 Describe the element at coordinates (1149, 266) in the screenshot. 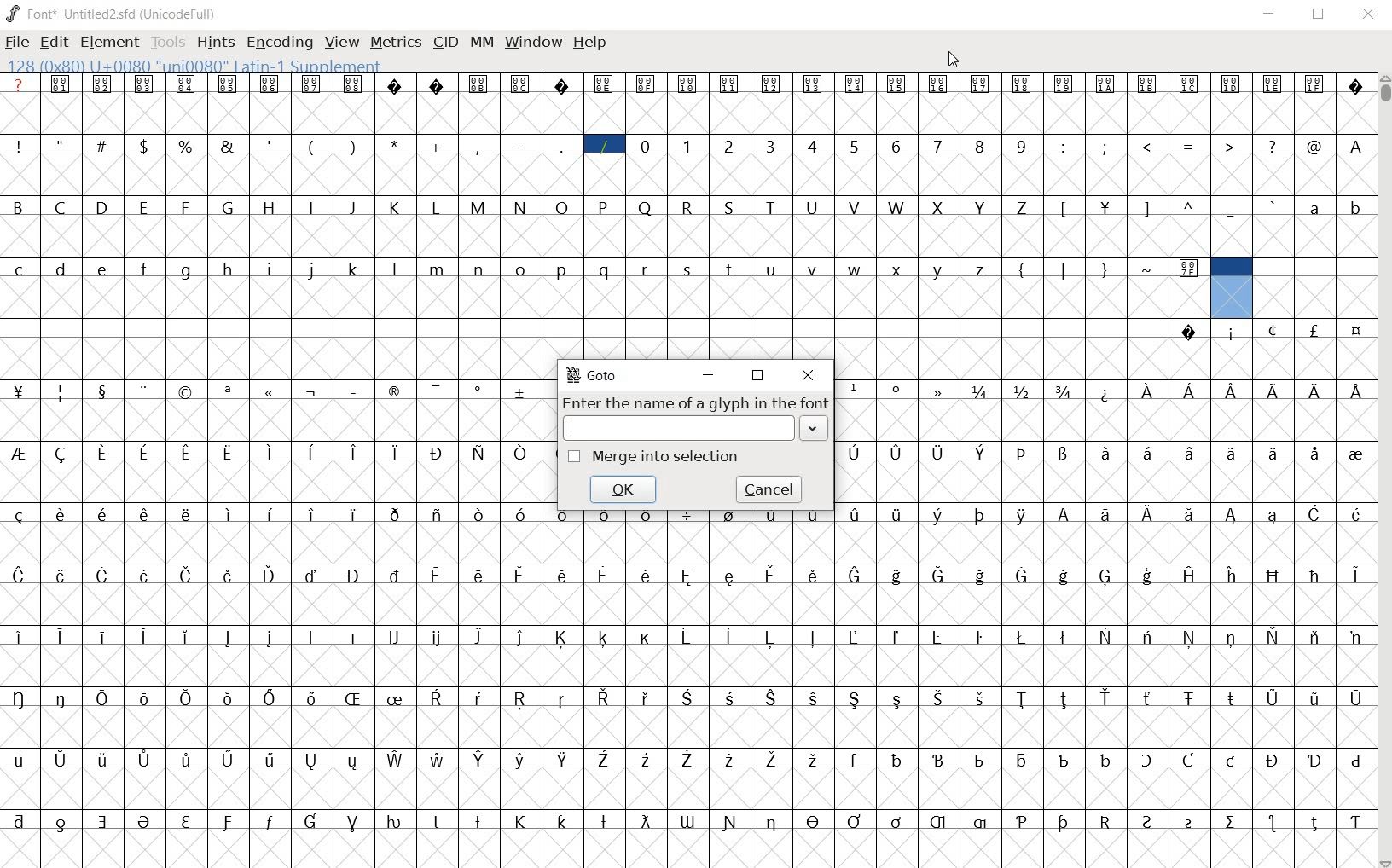

I see `~` at that location.